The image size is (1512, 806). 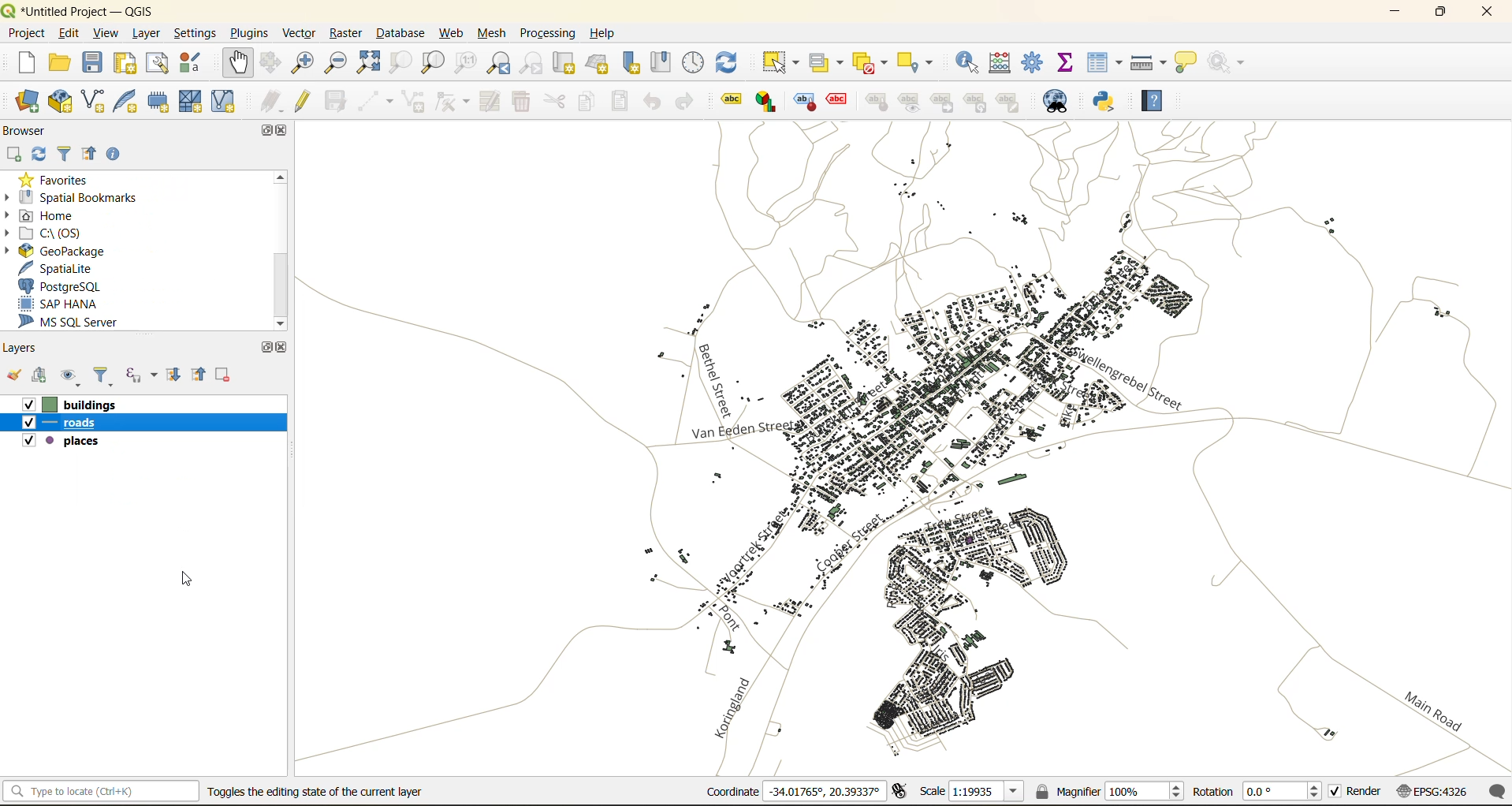 What do you see at coordinates (57, 63) in the screenshot?
I see `open` at bounding box center [57, 63].